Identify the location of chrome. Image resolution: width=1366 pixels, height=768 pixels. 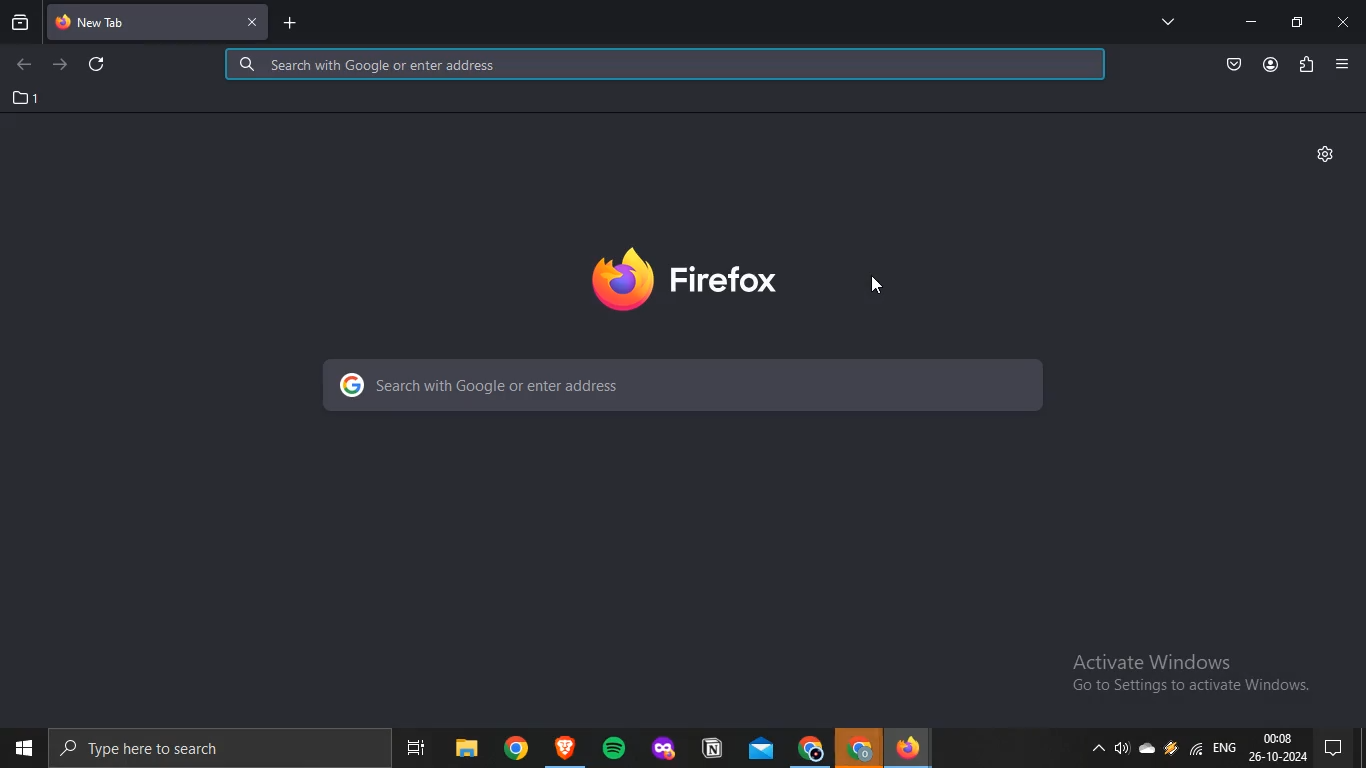
(860, 748).